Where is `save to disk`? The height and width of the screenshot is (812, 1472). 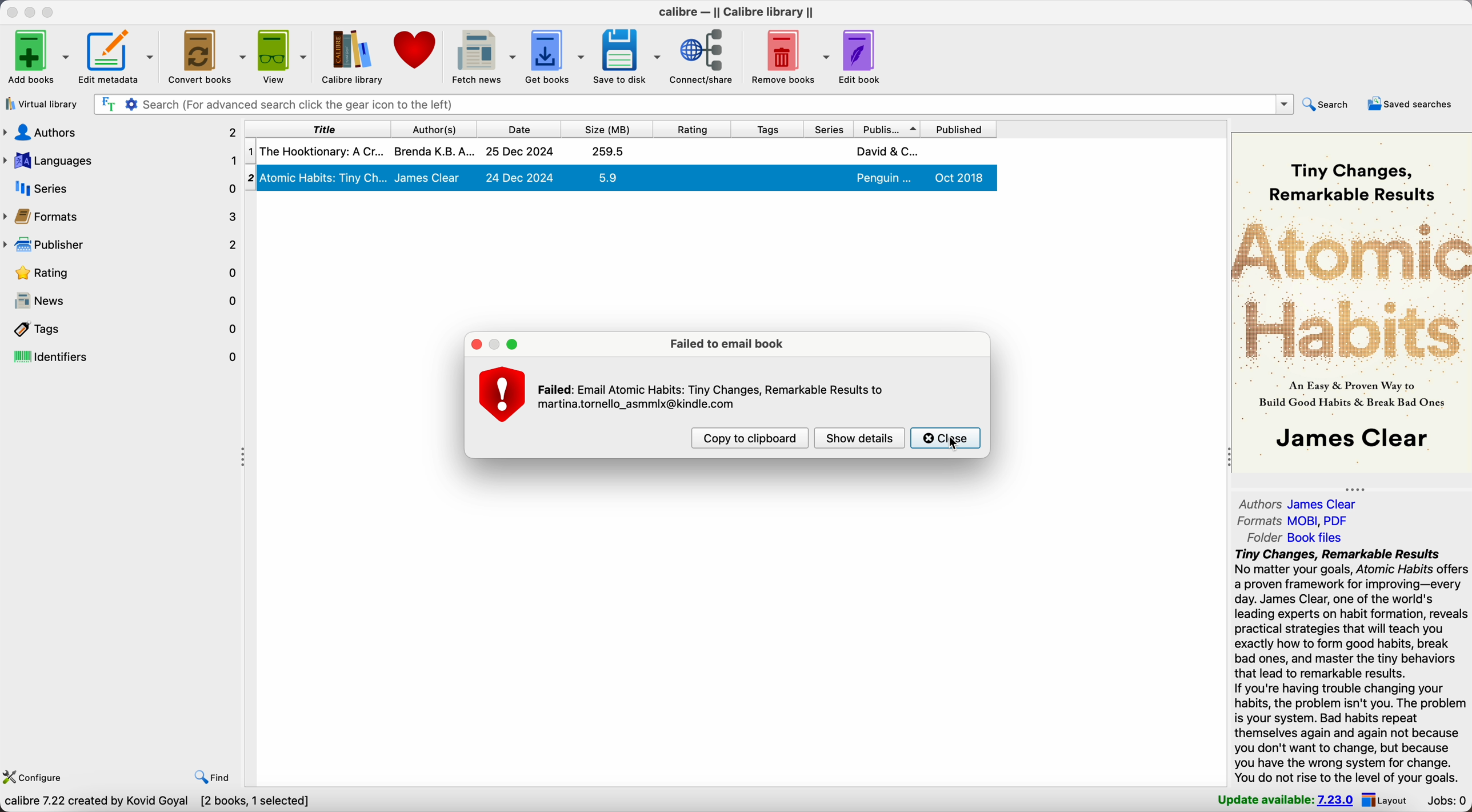
save to disk is located at coordinates (627, 58).